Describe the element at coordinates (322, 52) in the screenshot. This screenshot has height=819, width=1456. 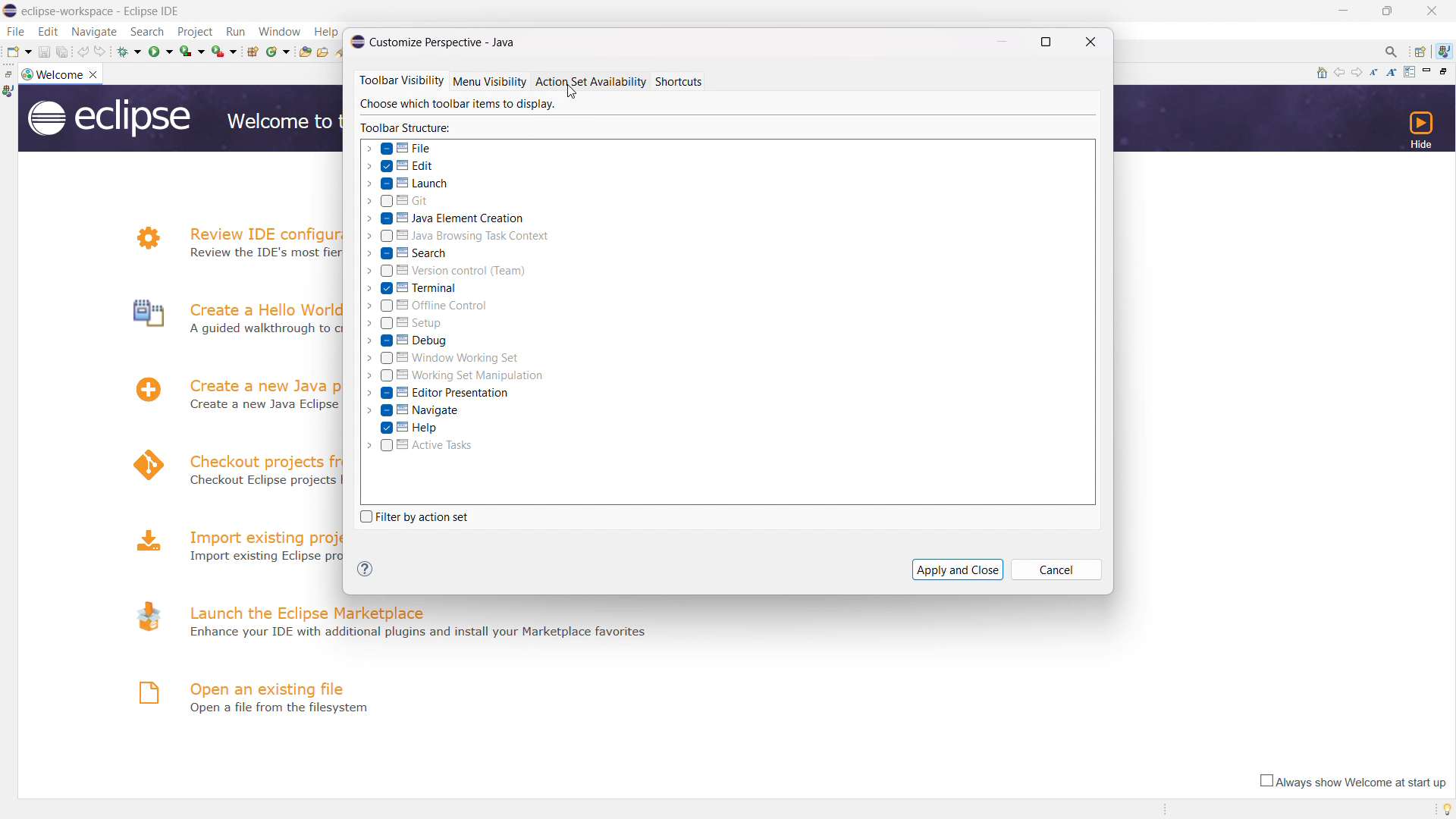
I see `open task` at that location.